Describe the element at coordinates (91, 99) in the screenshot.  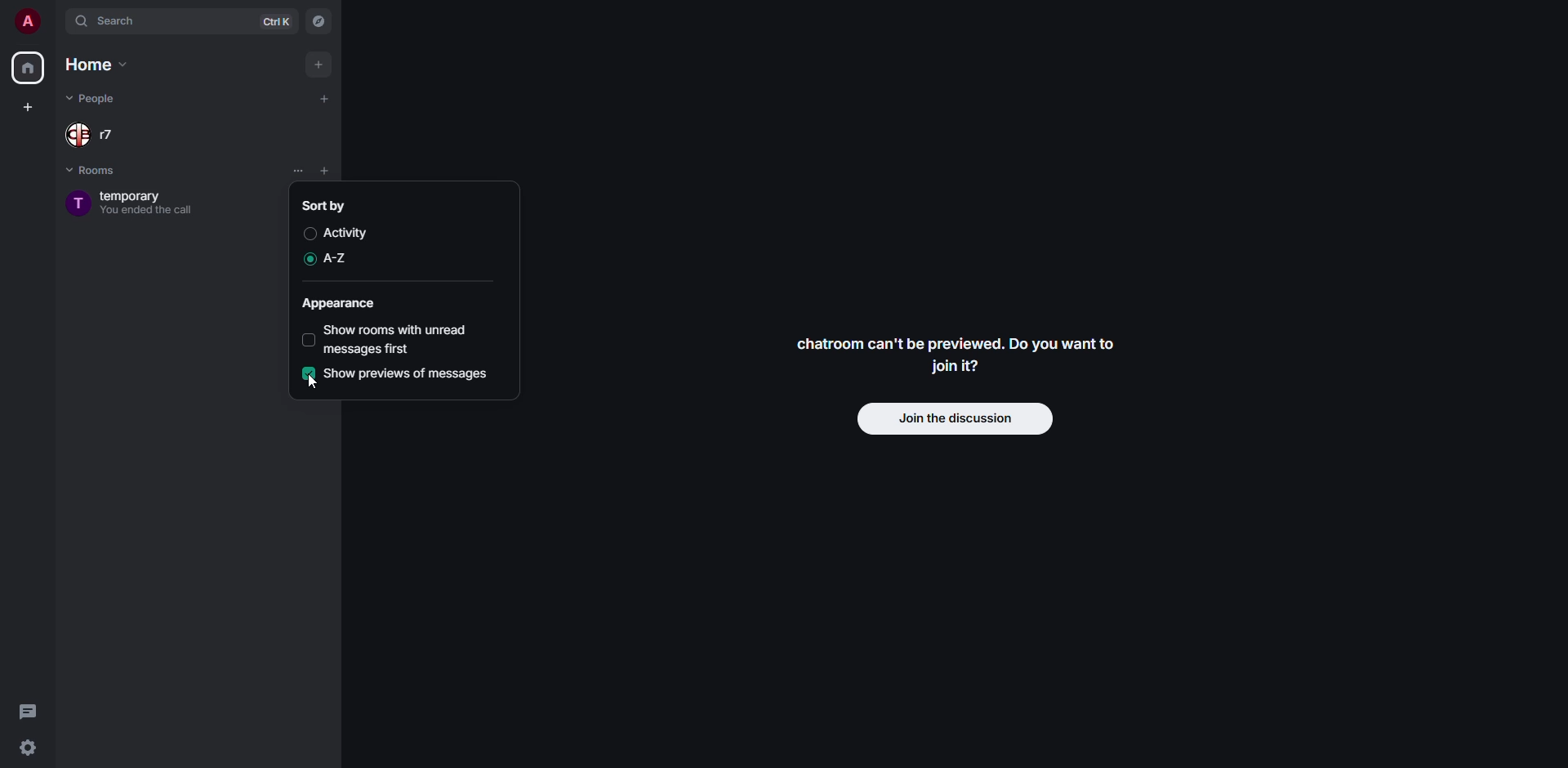
I see `people` at that location.